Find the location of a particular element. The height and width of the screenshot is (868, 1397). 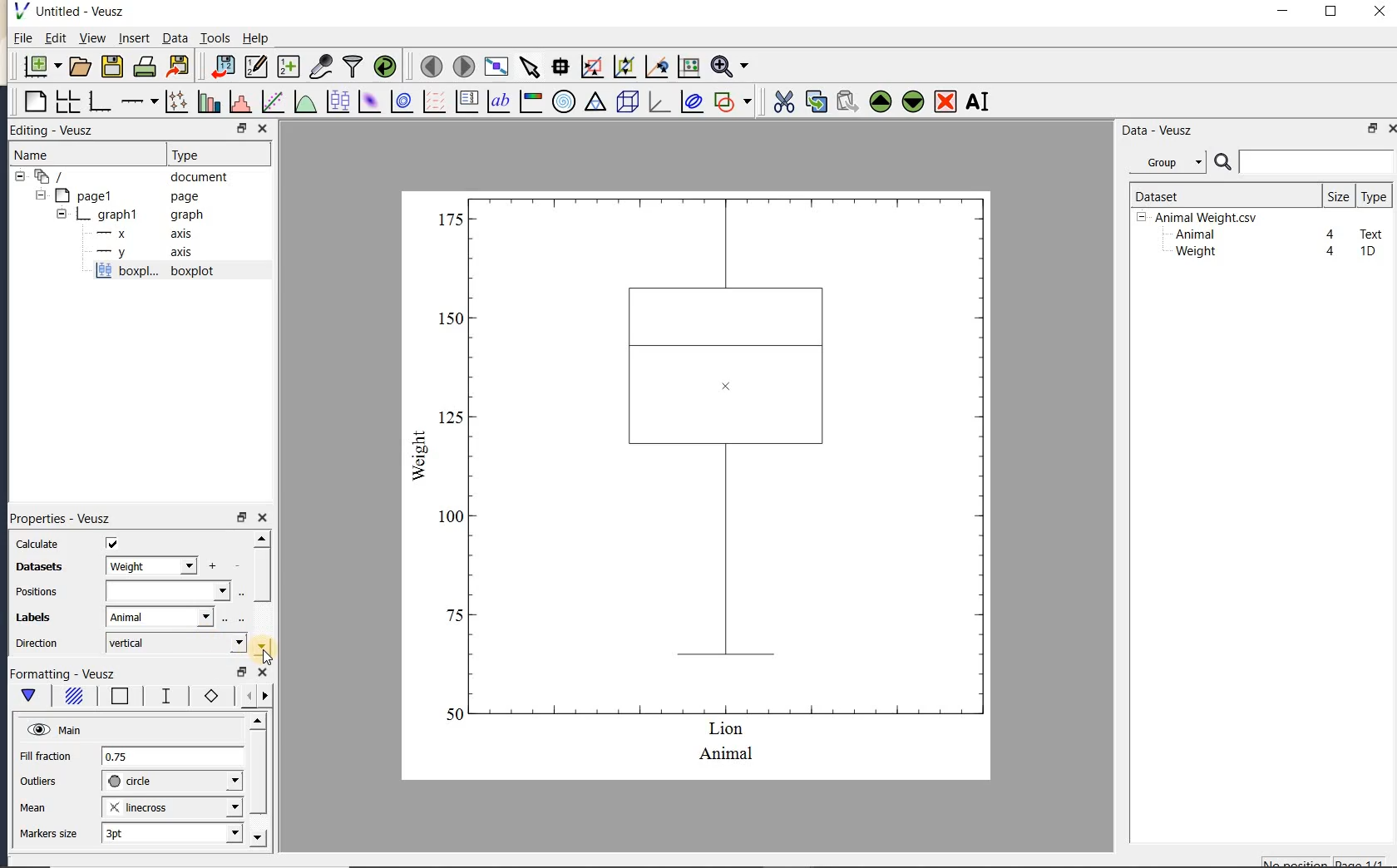

input field is located at coordinates (161, 616).